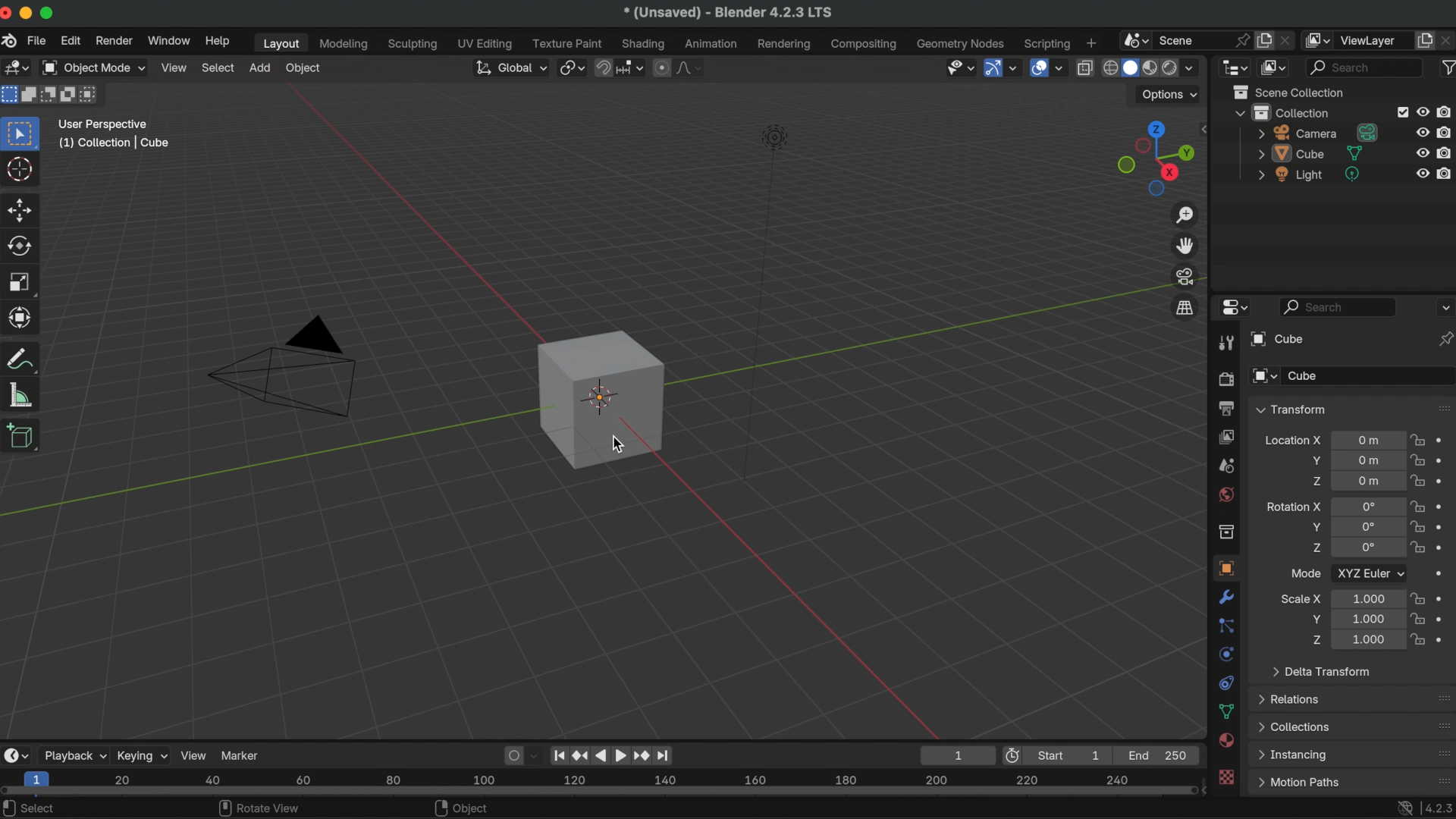  Describe the element at coordinates (762, 300) in the screenshot. I see `light source` at that location.